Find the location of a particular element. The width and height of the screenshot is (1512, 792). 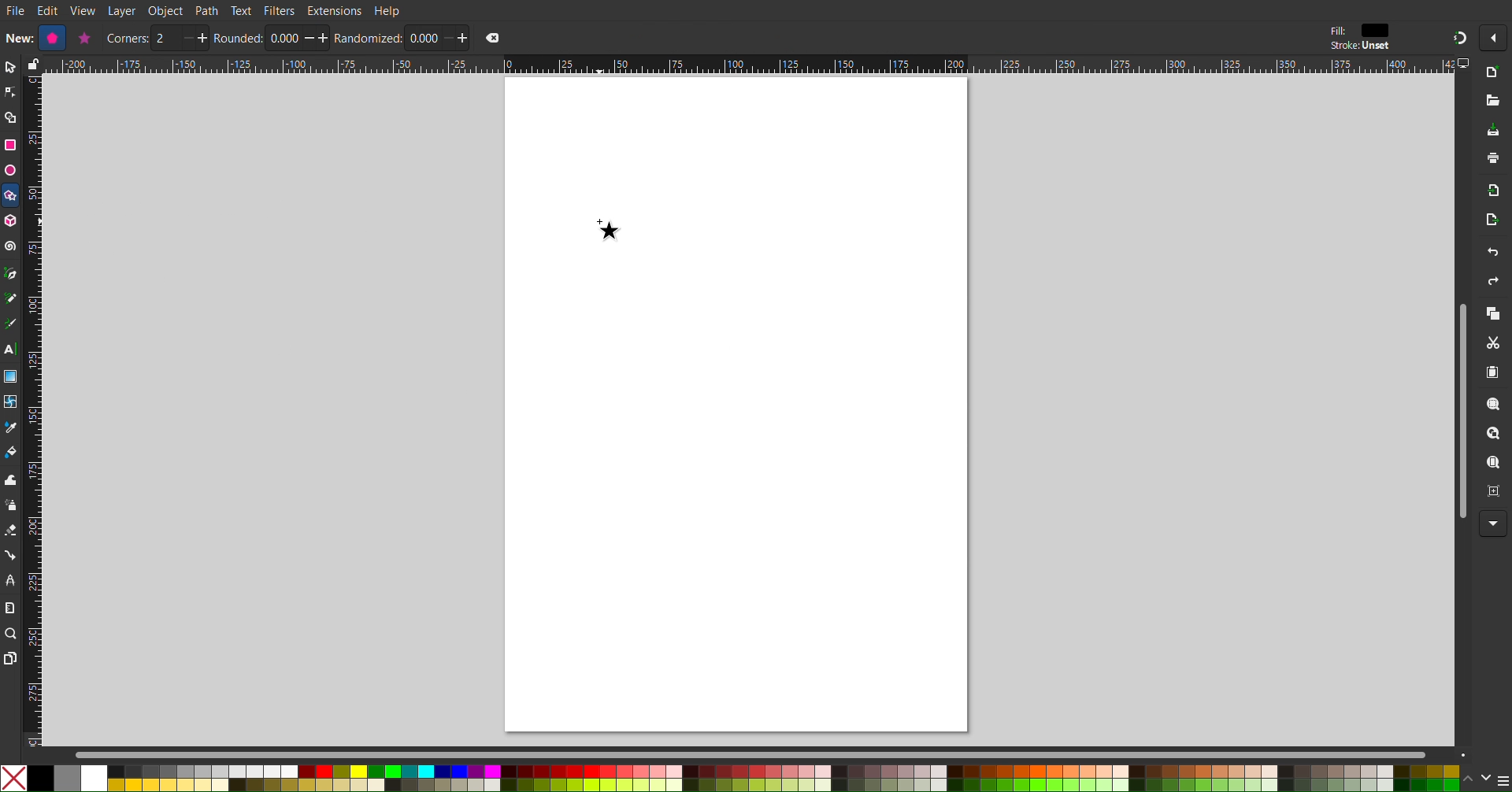

corners is located at coordinates (127, 39).